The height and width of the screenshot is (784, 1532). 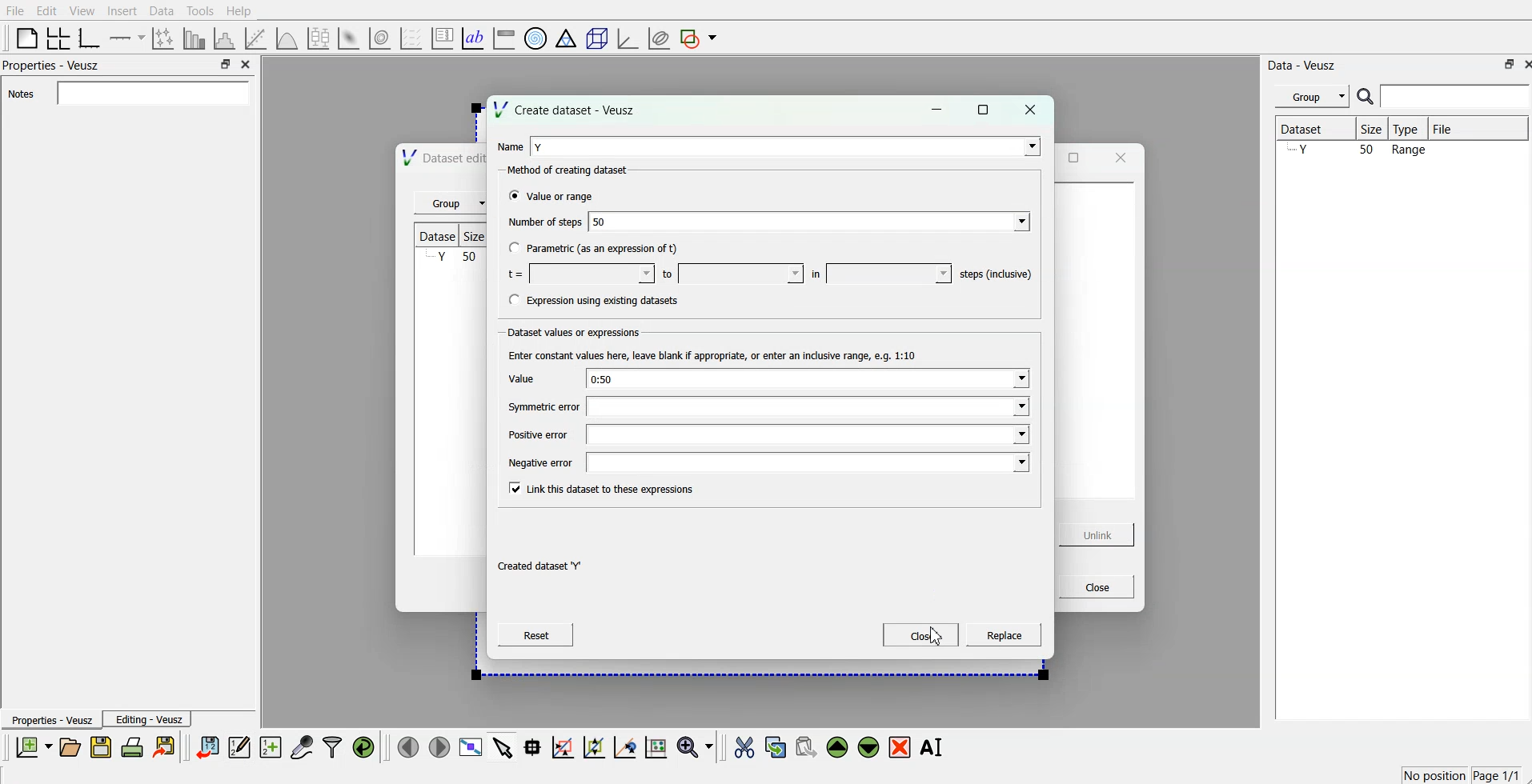 I want to click on Dataset, so click(x=1301, y=127).